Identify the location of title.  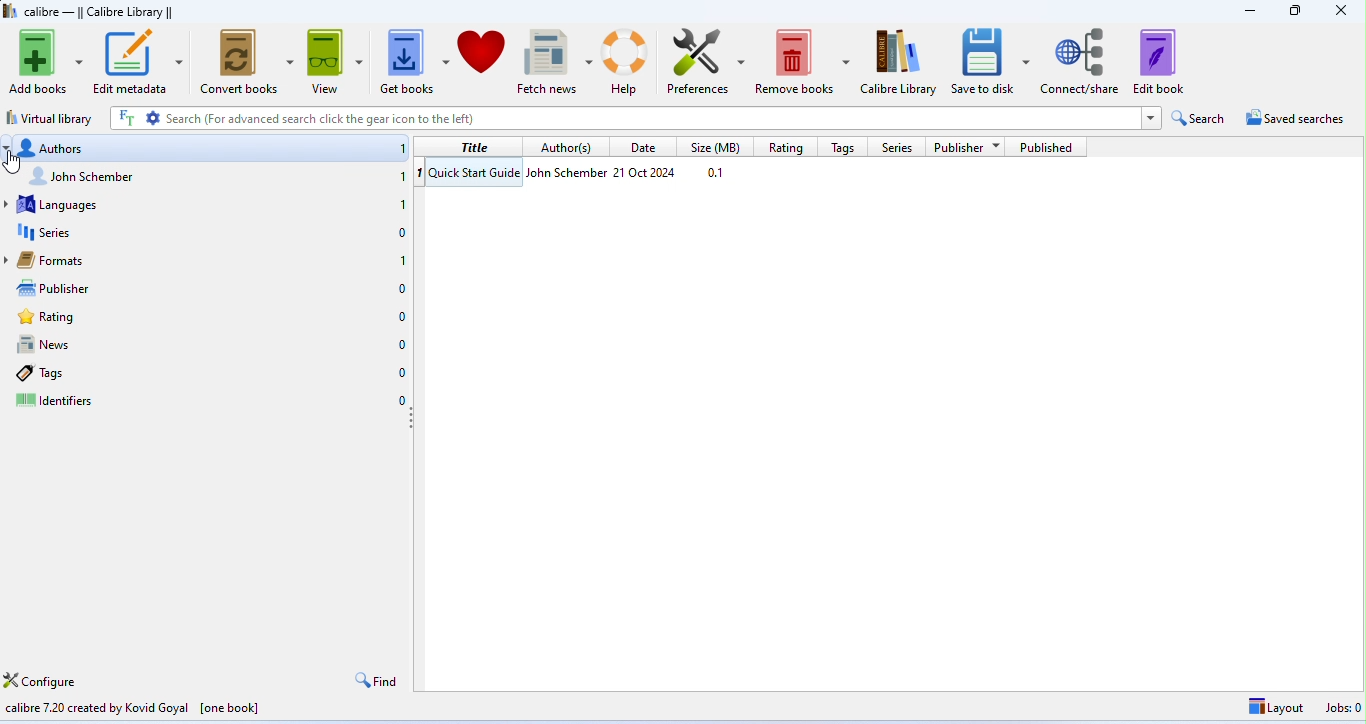
(476, 148).